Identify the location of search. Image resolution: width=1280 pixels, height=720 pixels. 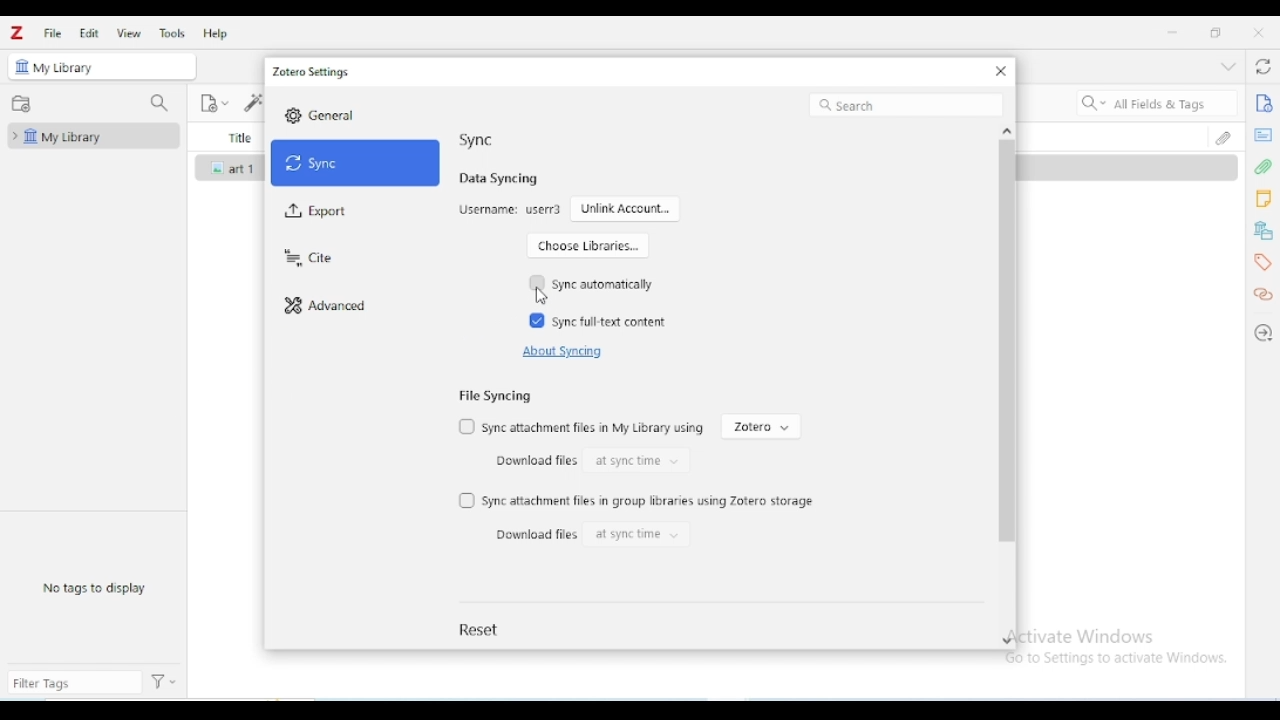
(906, 105).